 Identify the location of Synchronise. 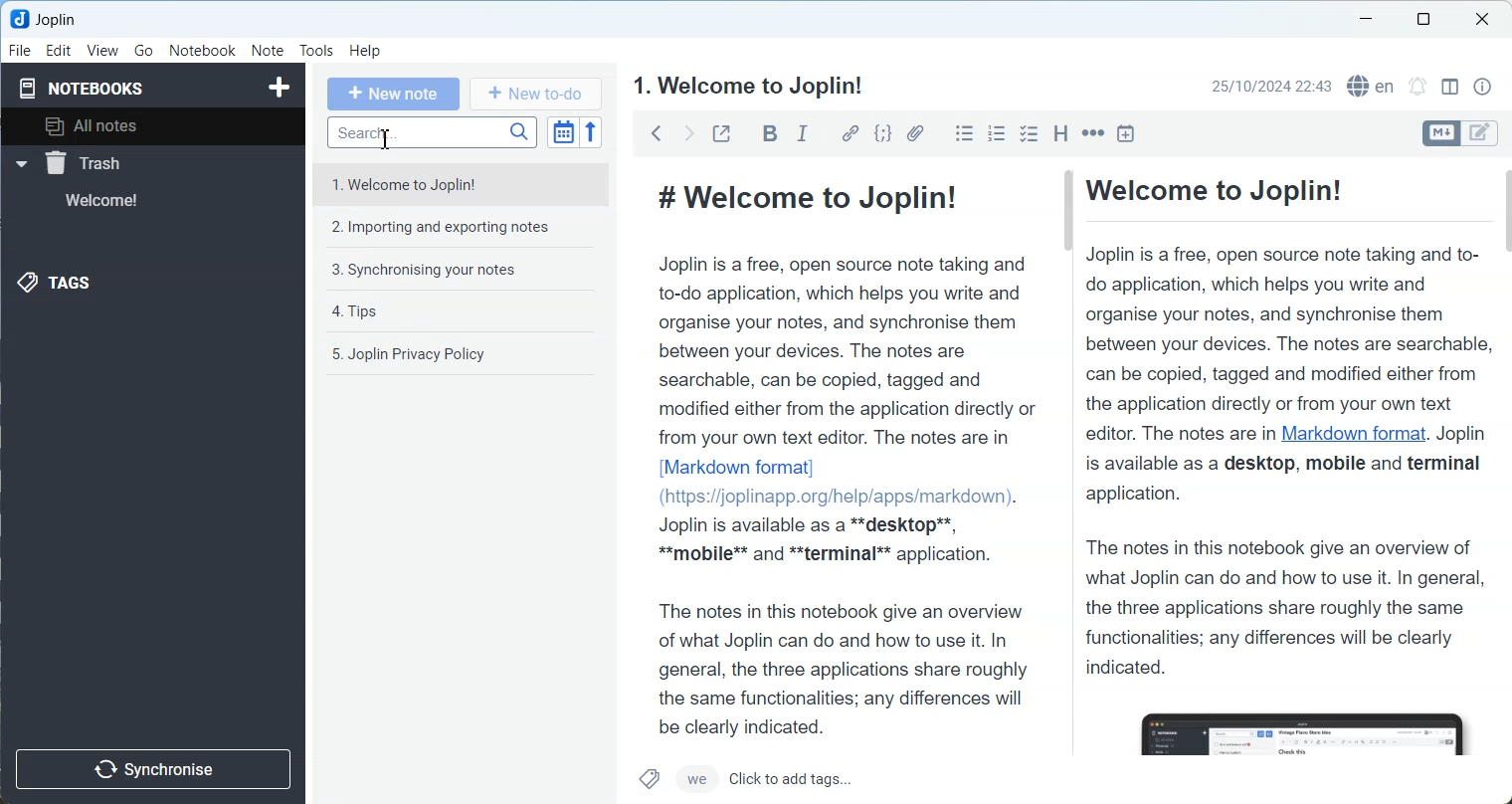
(157, 768).